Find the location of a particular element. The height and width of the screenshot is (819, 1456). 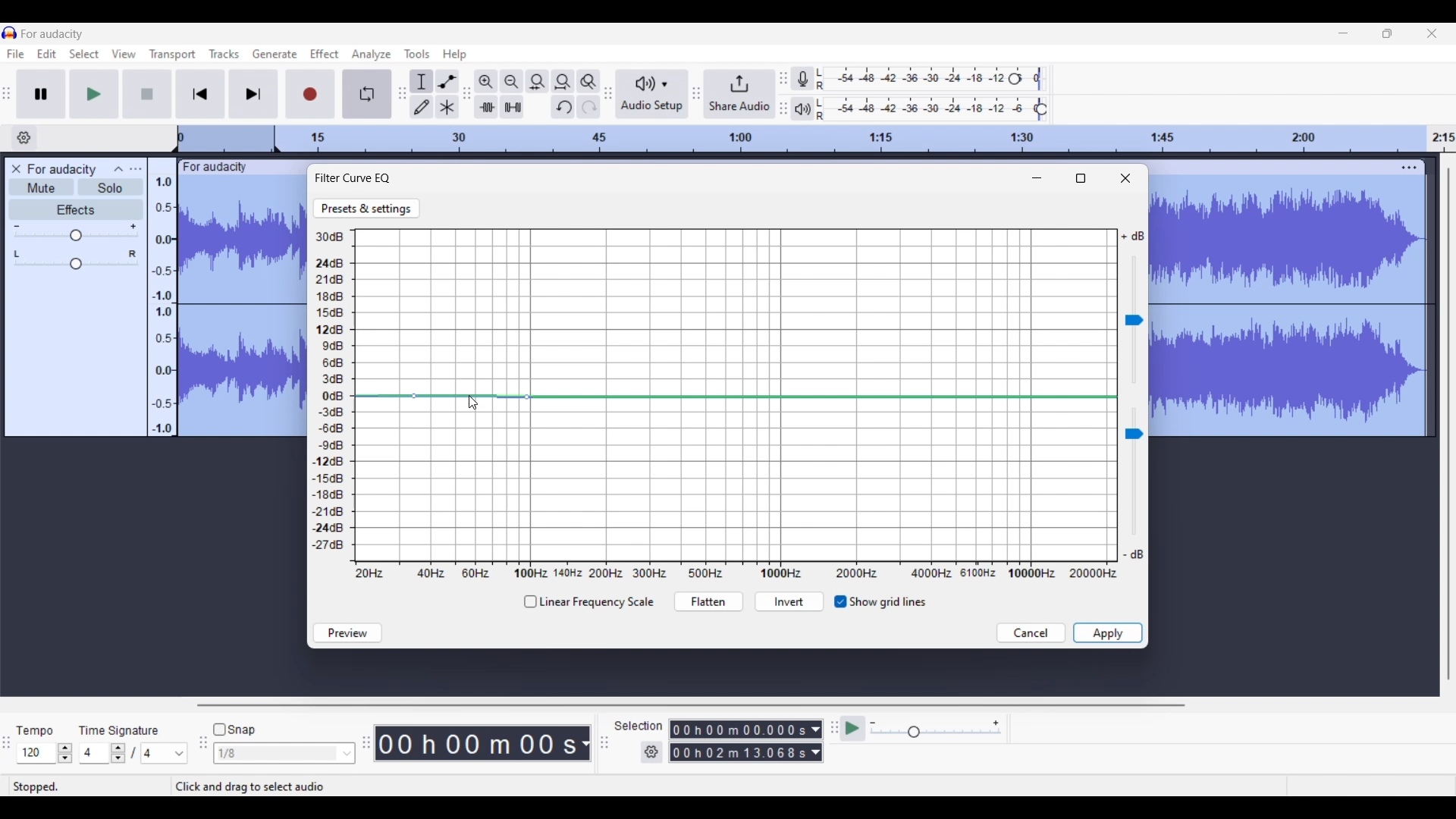

Undo is located at coordinates (563, 106).